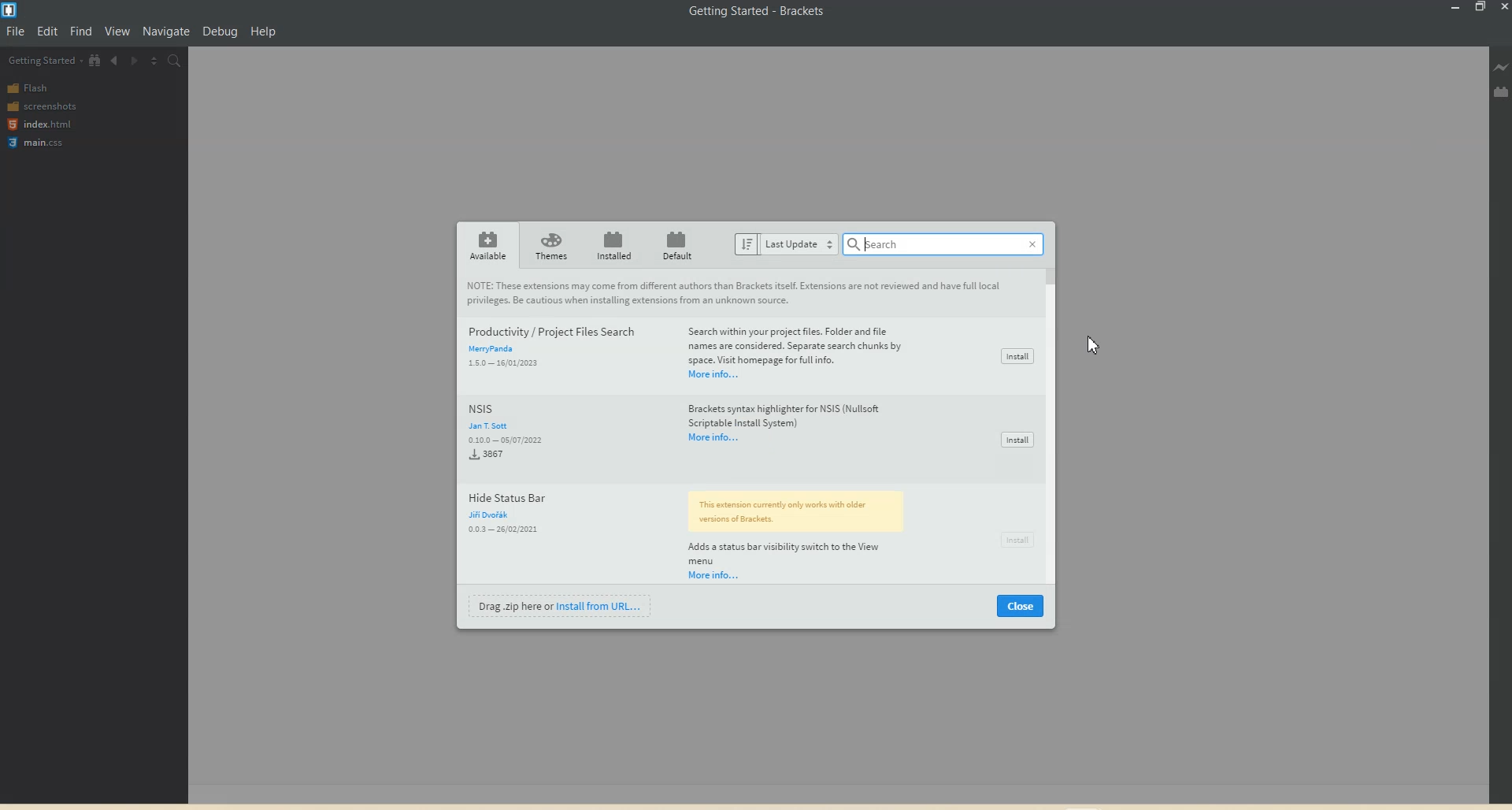  What do you see at coordinates (95, 60) in the screenshot?
I see `View in file Tree` at bounding box center [95, 60].